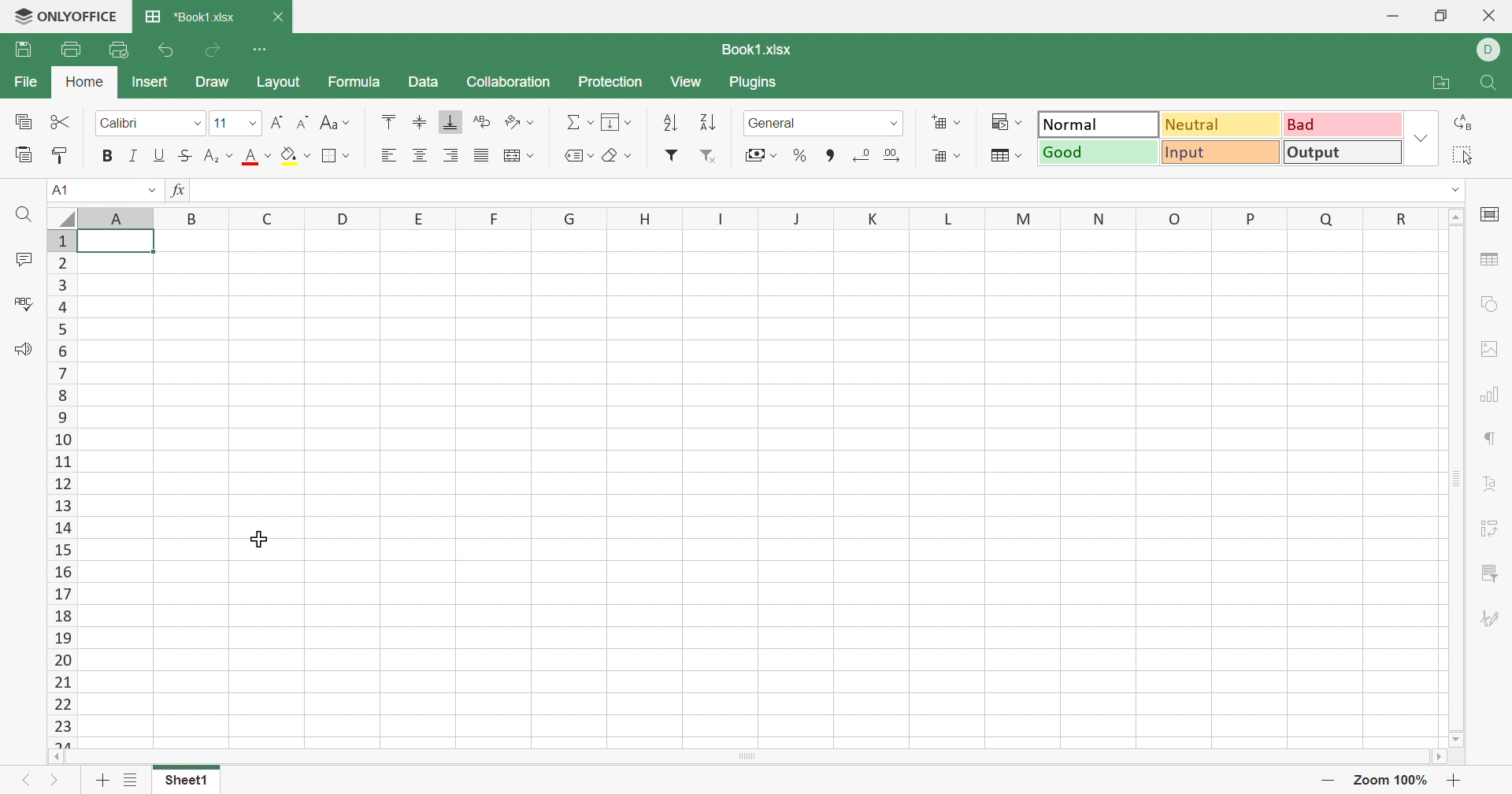  I want to click on Neutral, so click(1218, 124).